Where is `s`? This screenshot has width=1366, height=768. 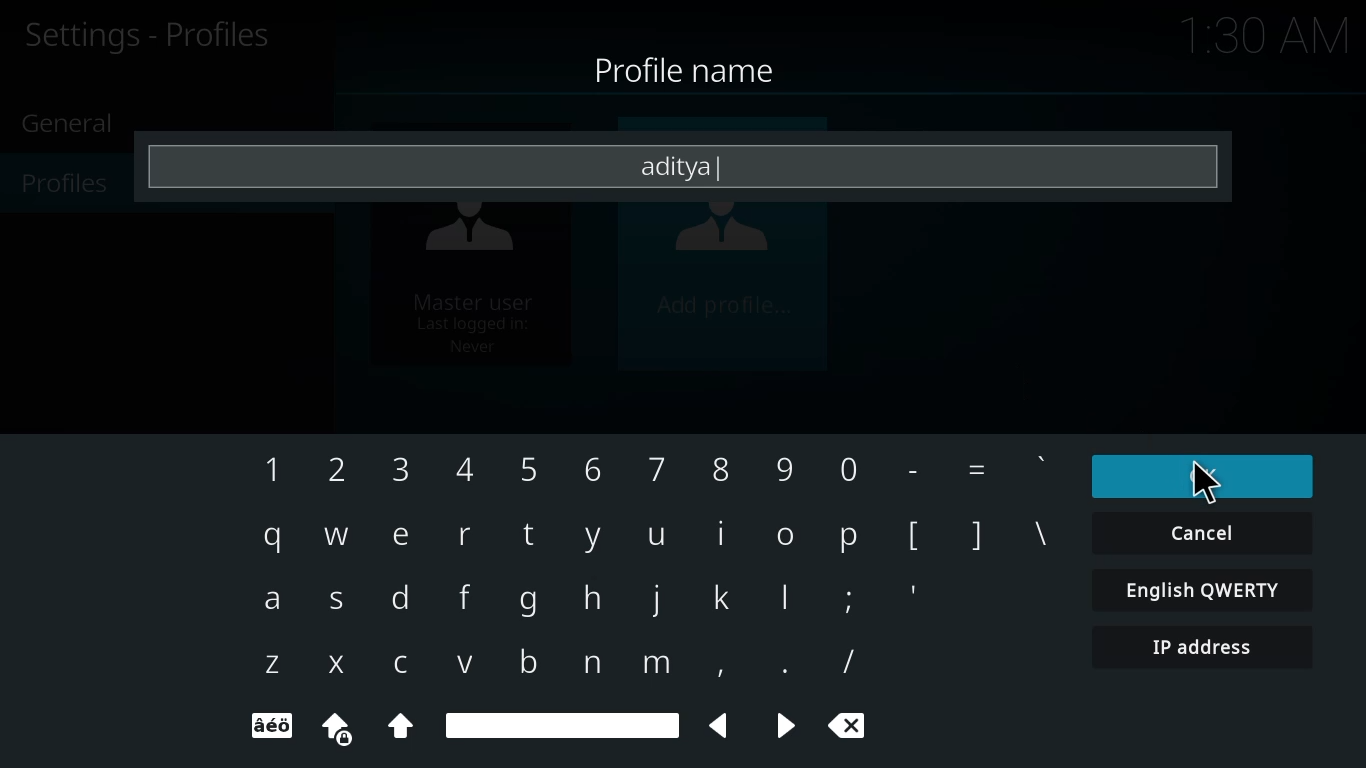
s is located at coordinates (336, 599).